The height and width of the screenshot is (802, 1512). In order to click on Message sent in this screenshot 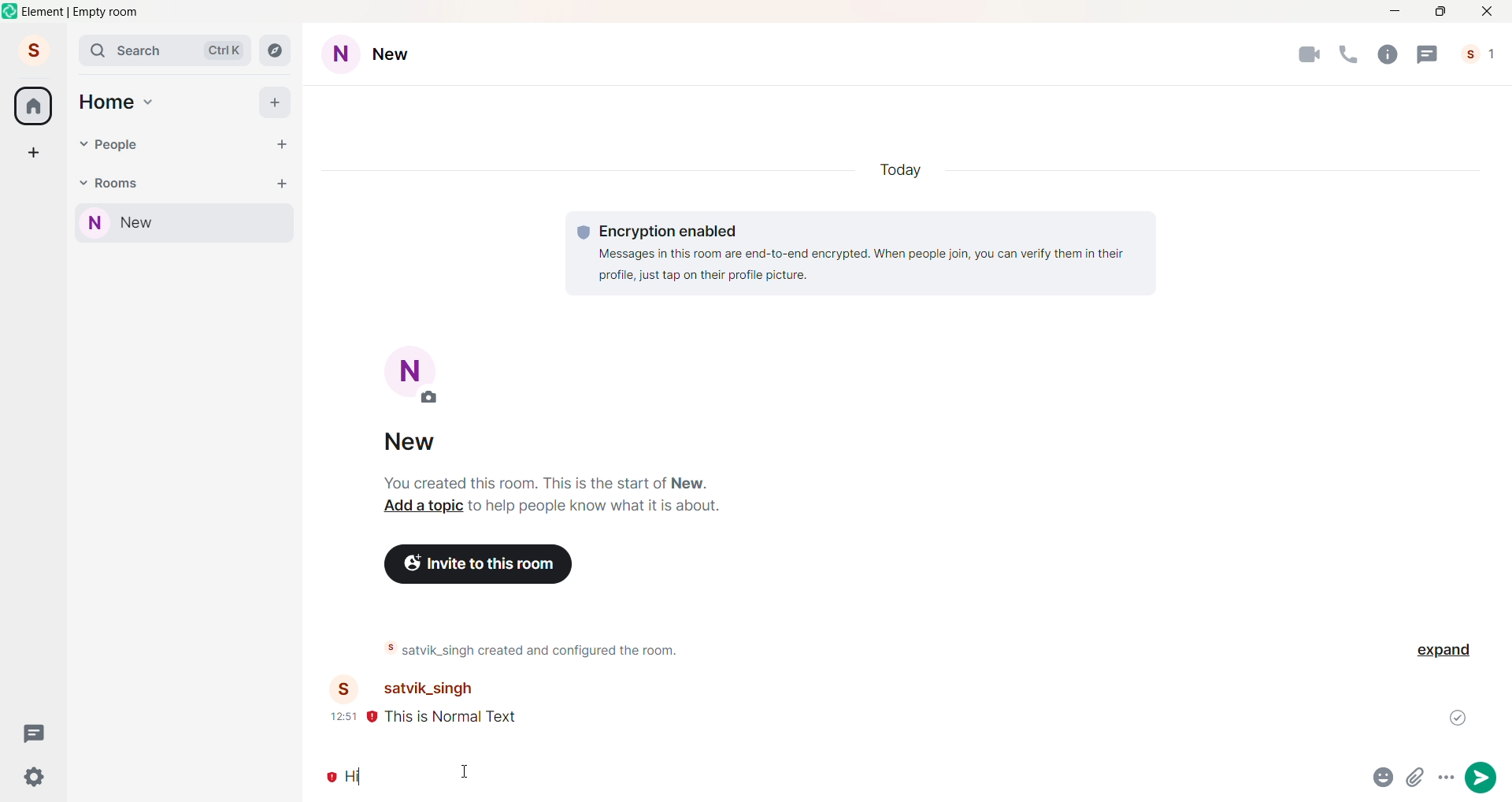, I will do `click(1459, 717)`.